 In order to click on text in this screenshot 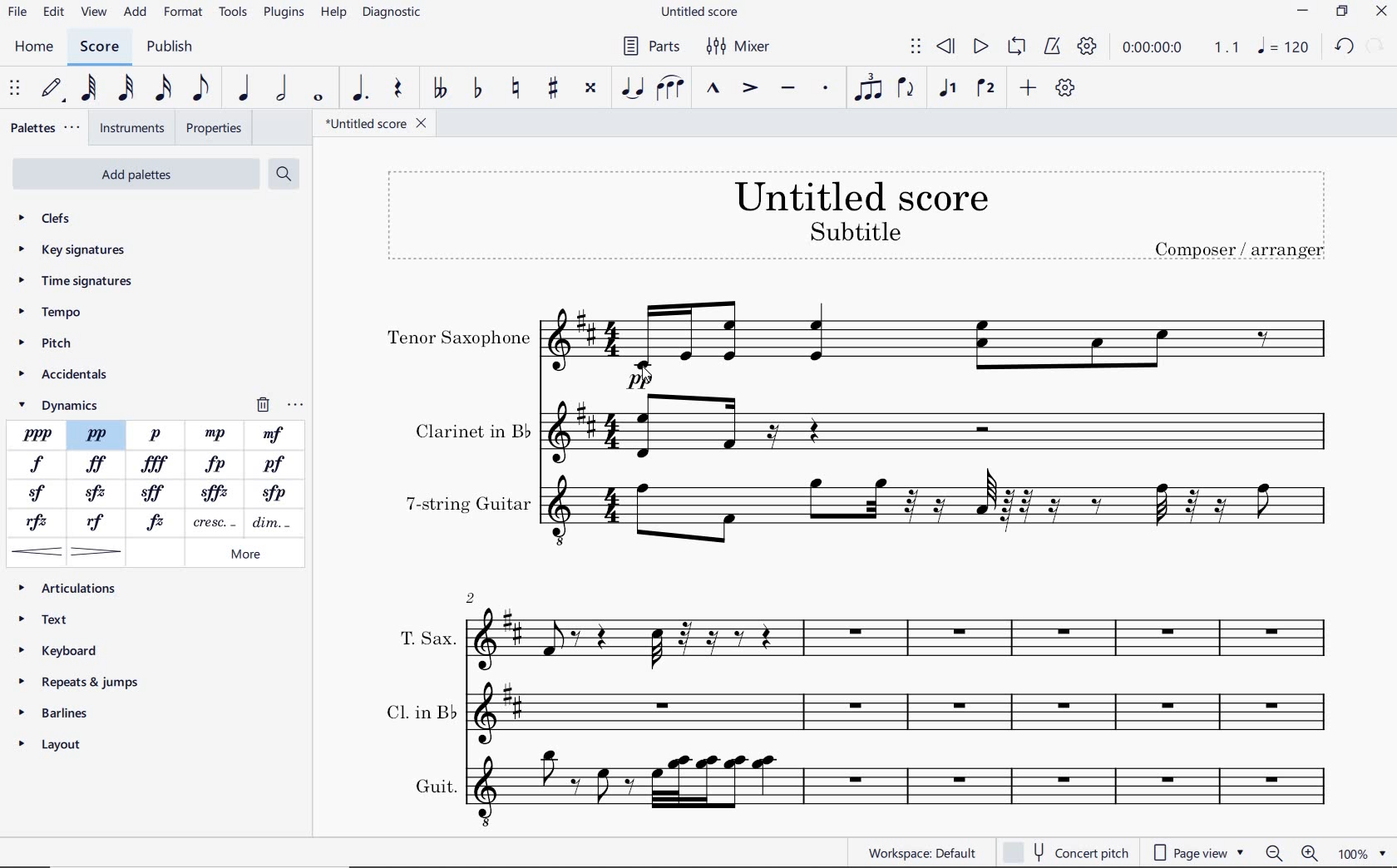, I will do `click(471, 431)`.